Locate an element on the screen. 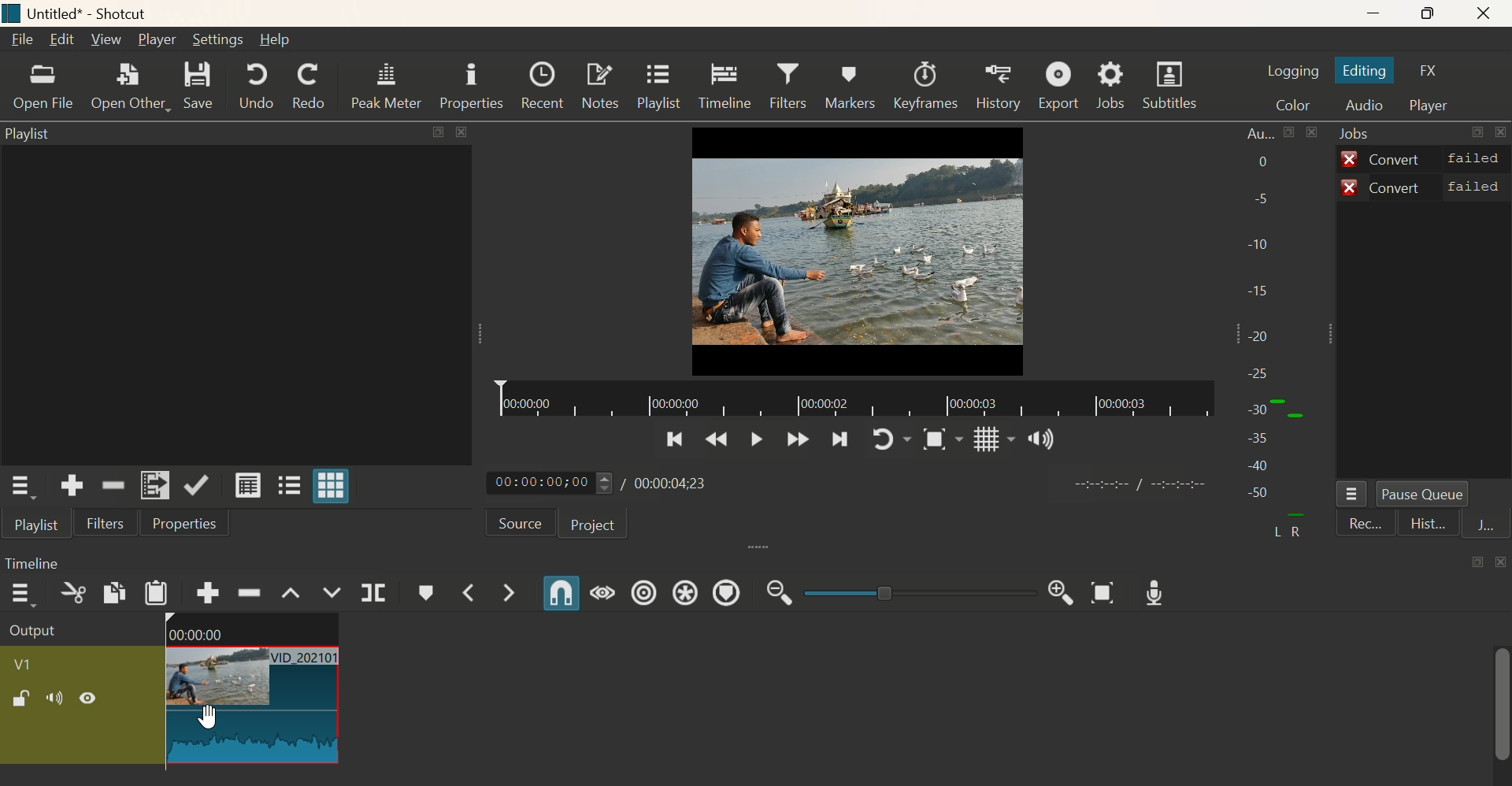  History is located at coordinates (999, 87).